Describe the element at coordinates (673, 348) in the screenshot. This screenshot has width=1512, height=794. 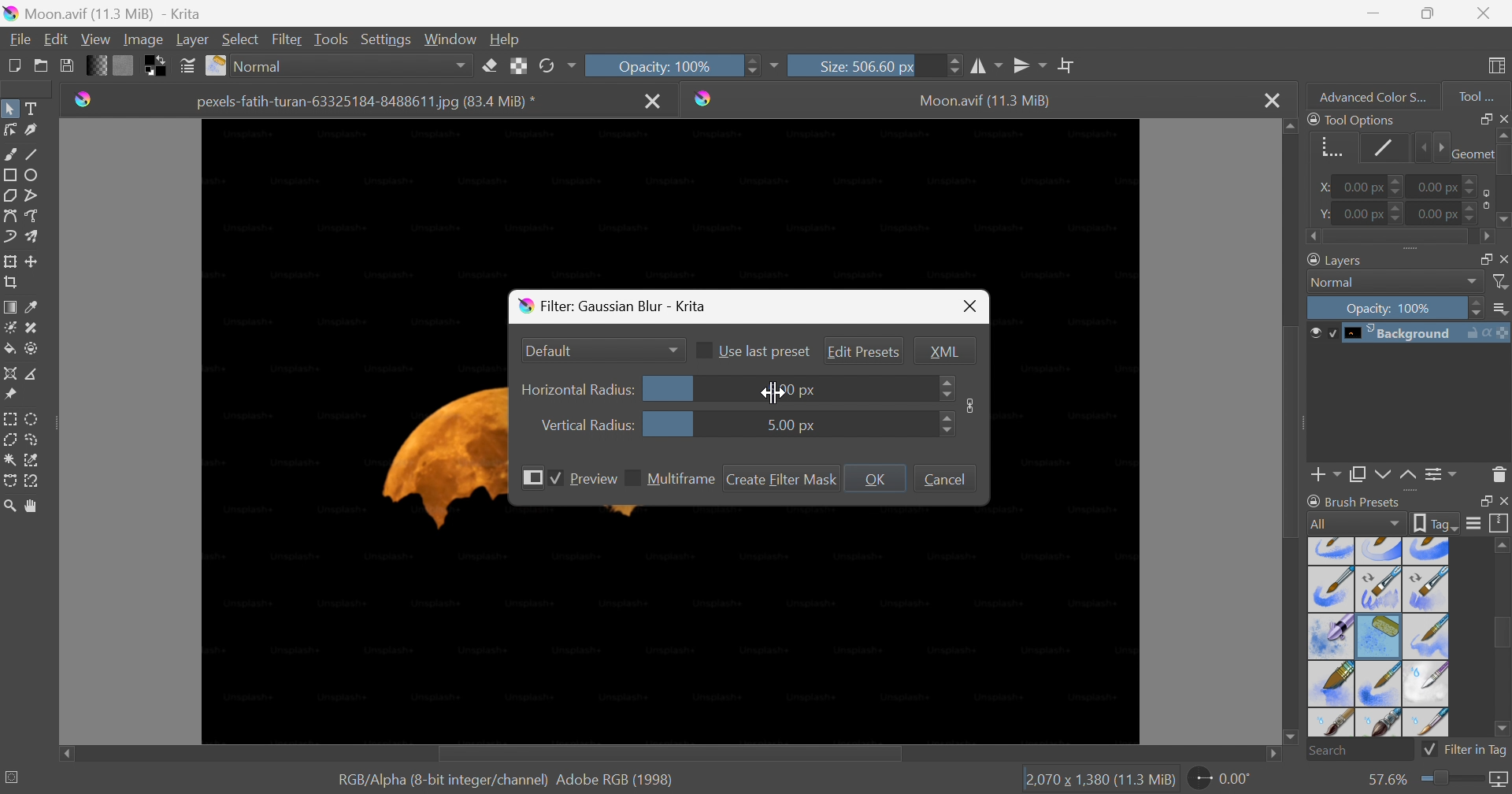
I see `Drop Down` at that location.